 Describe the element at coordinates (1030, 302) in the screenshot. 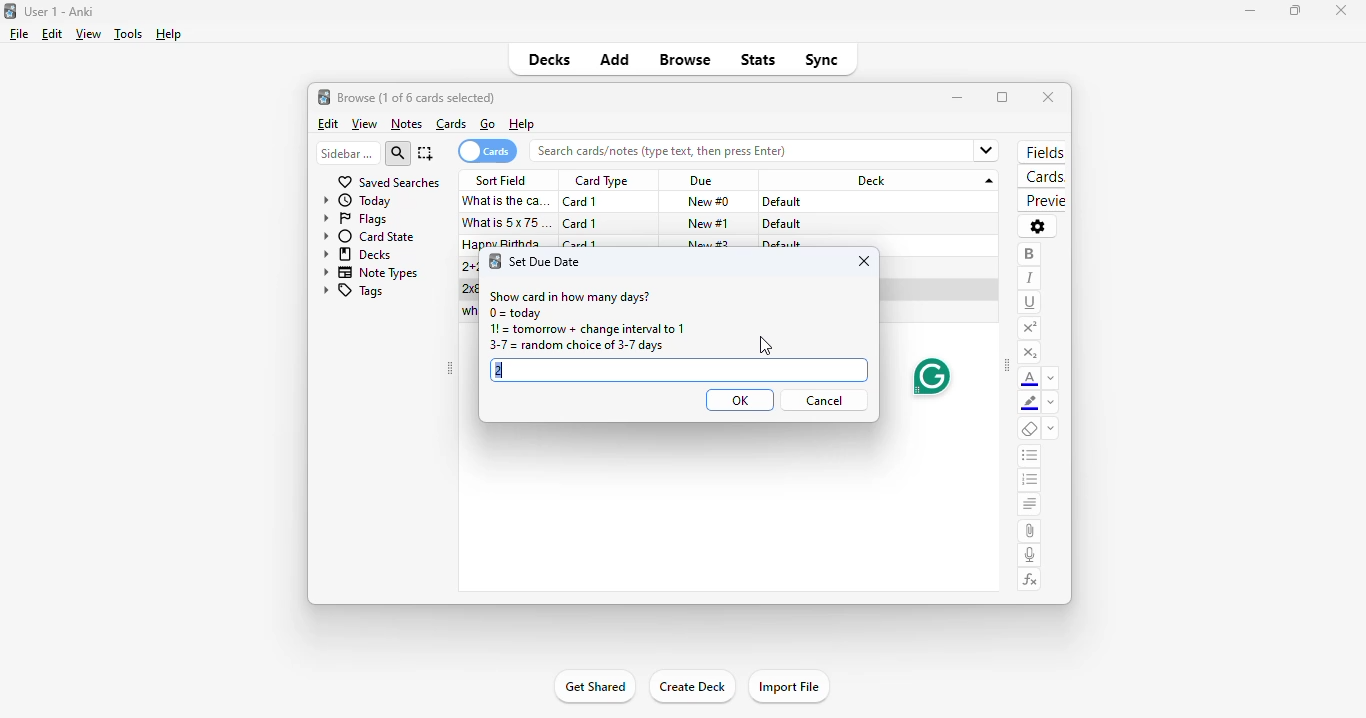

I see `underline` at that location.